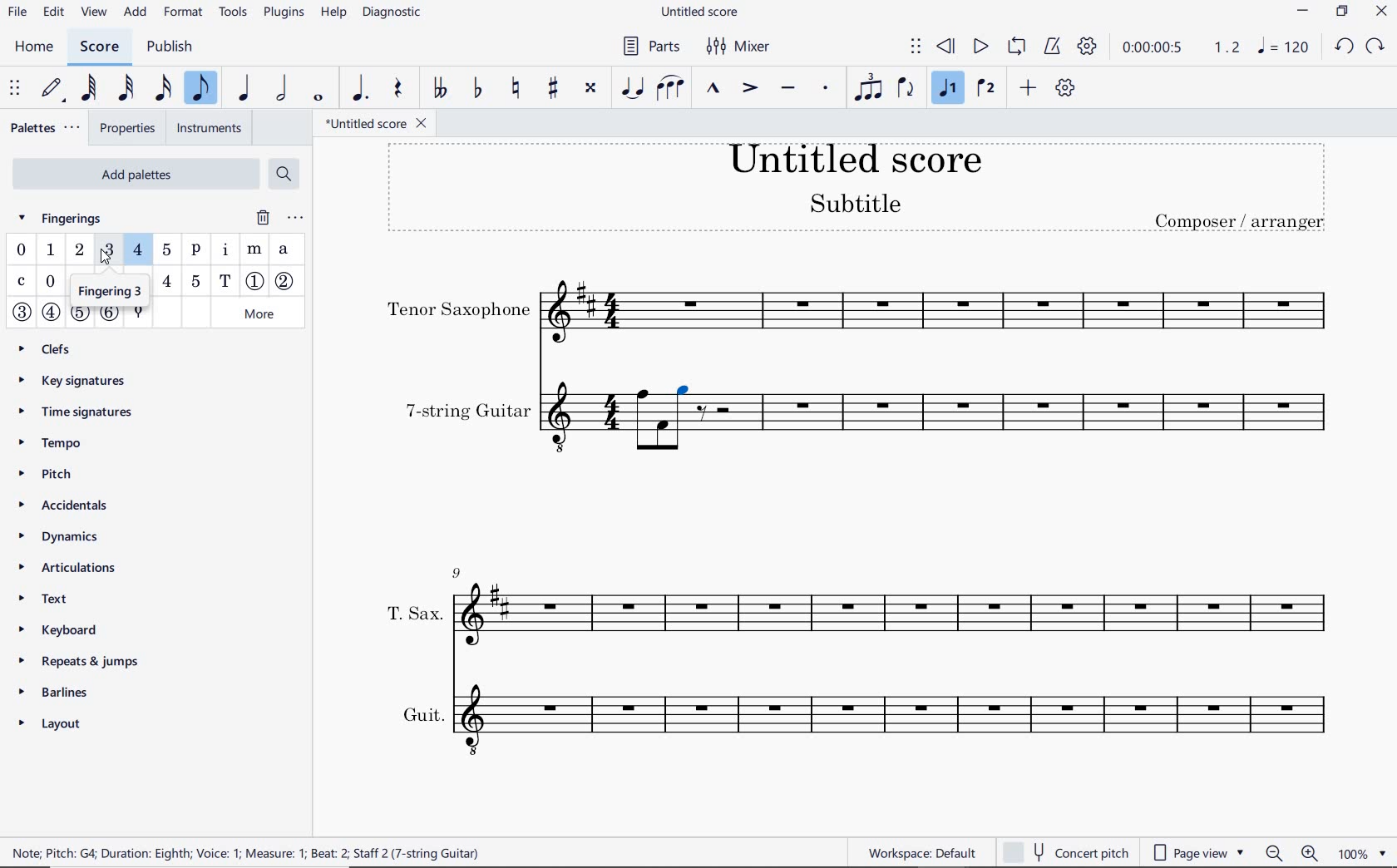 The width and height of the screenshot is (1397, 868). What do you see at coordinates (869, 86) in the screenshot?
I see `TUPLET` at bounding box center [869, 86].